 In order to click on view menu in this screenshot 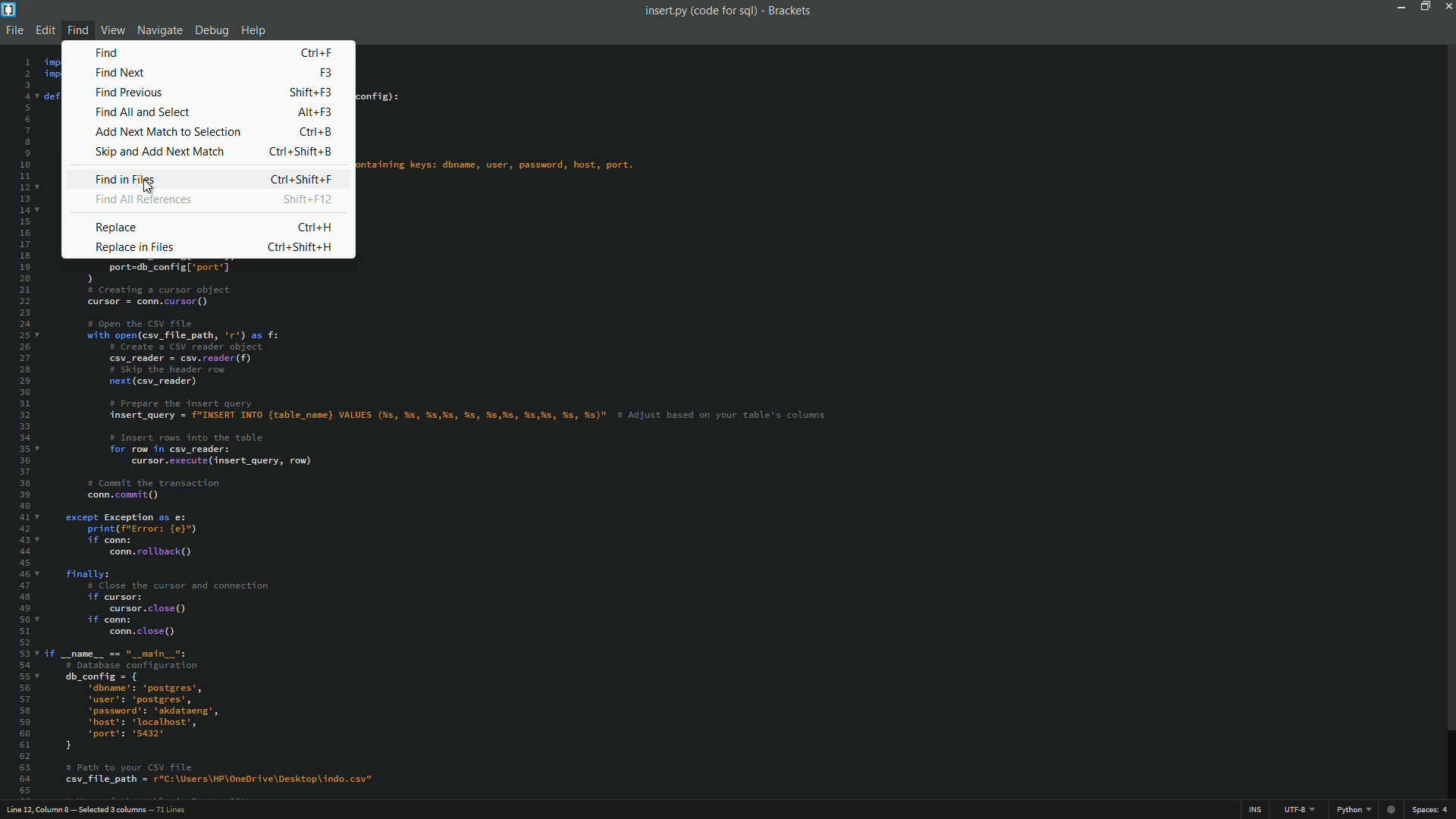, I will do `click(112, 30)`.